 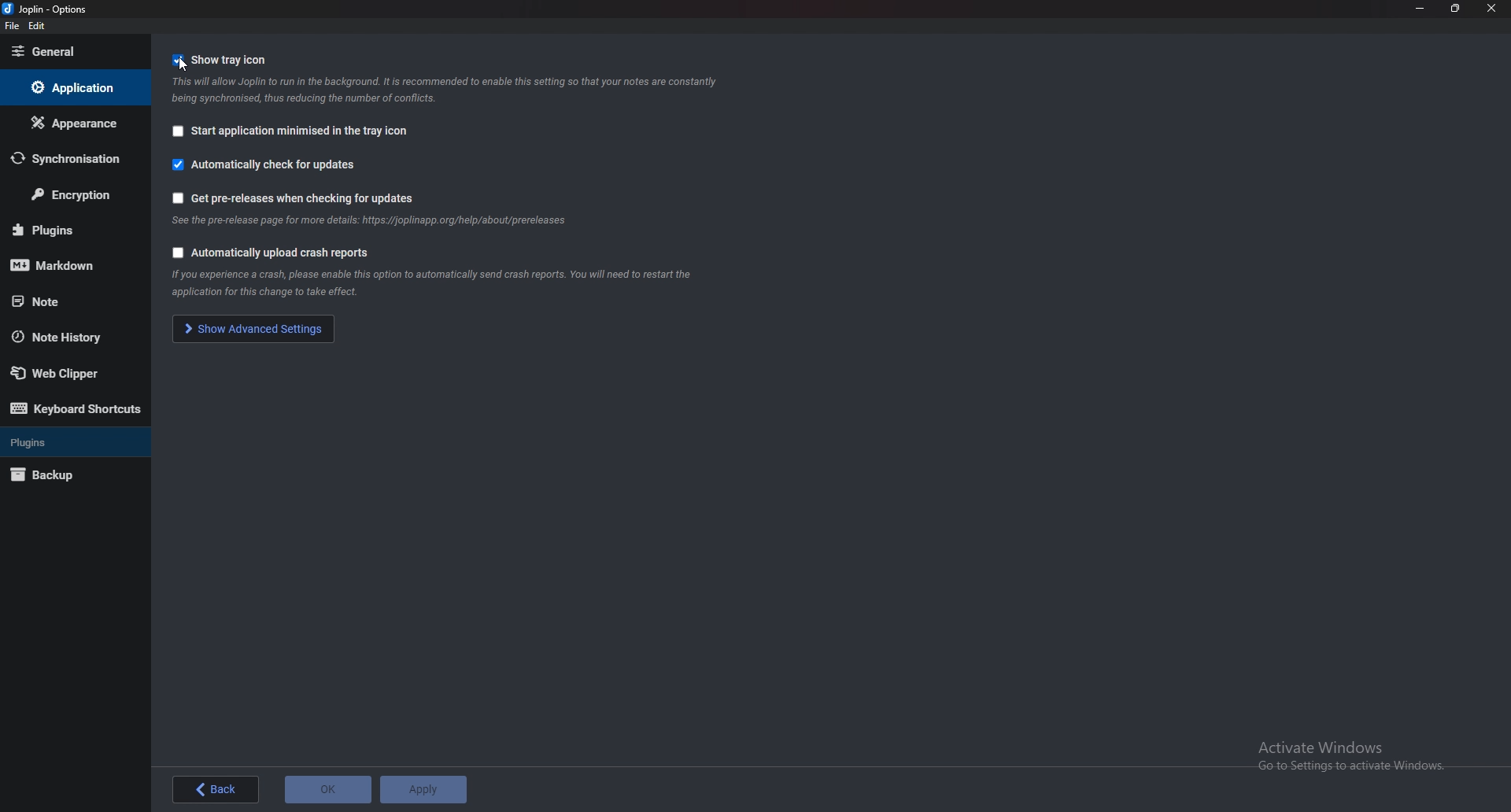 I want to click on info, so click(x=374, y=222).